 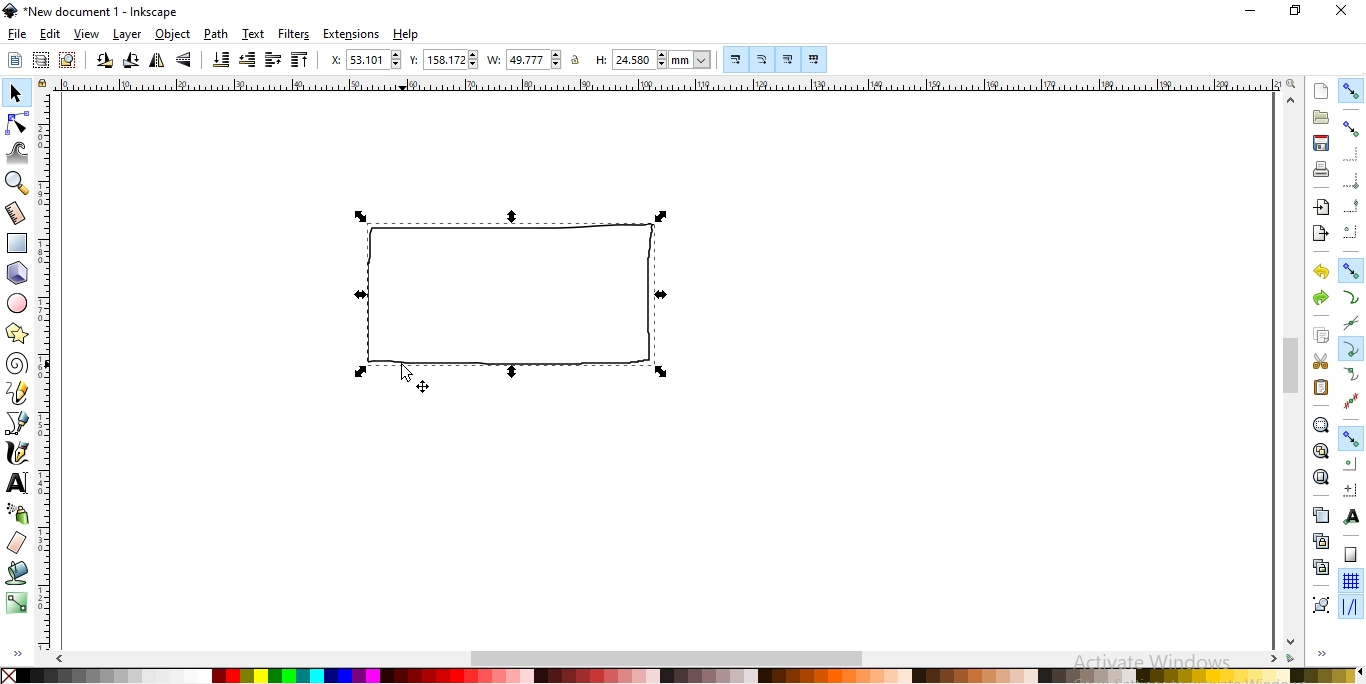 I want to click on scrollbar, so click(x=668, y=660).